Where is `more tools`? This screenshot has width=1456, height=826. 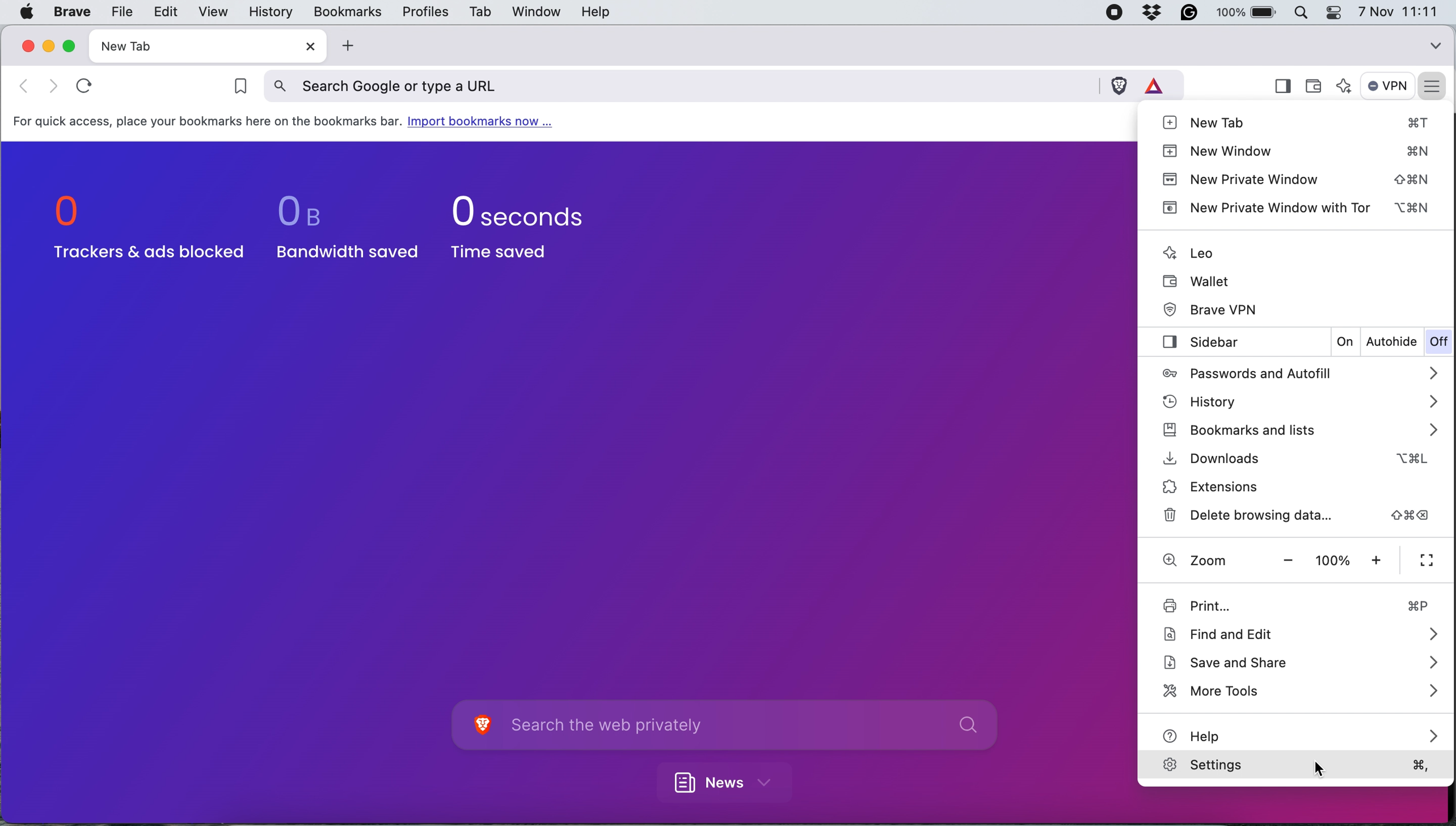
more tools is located at coordinates (1297, 690).